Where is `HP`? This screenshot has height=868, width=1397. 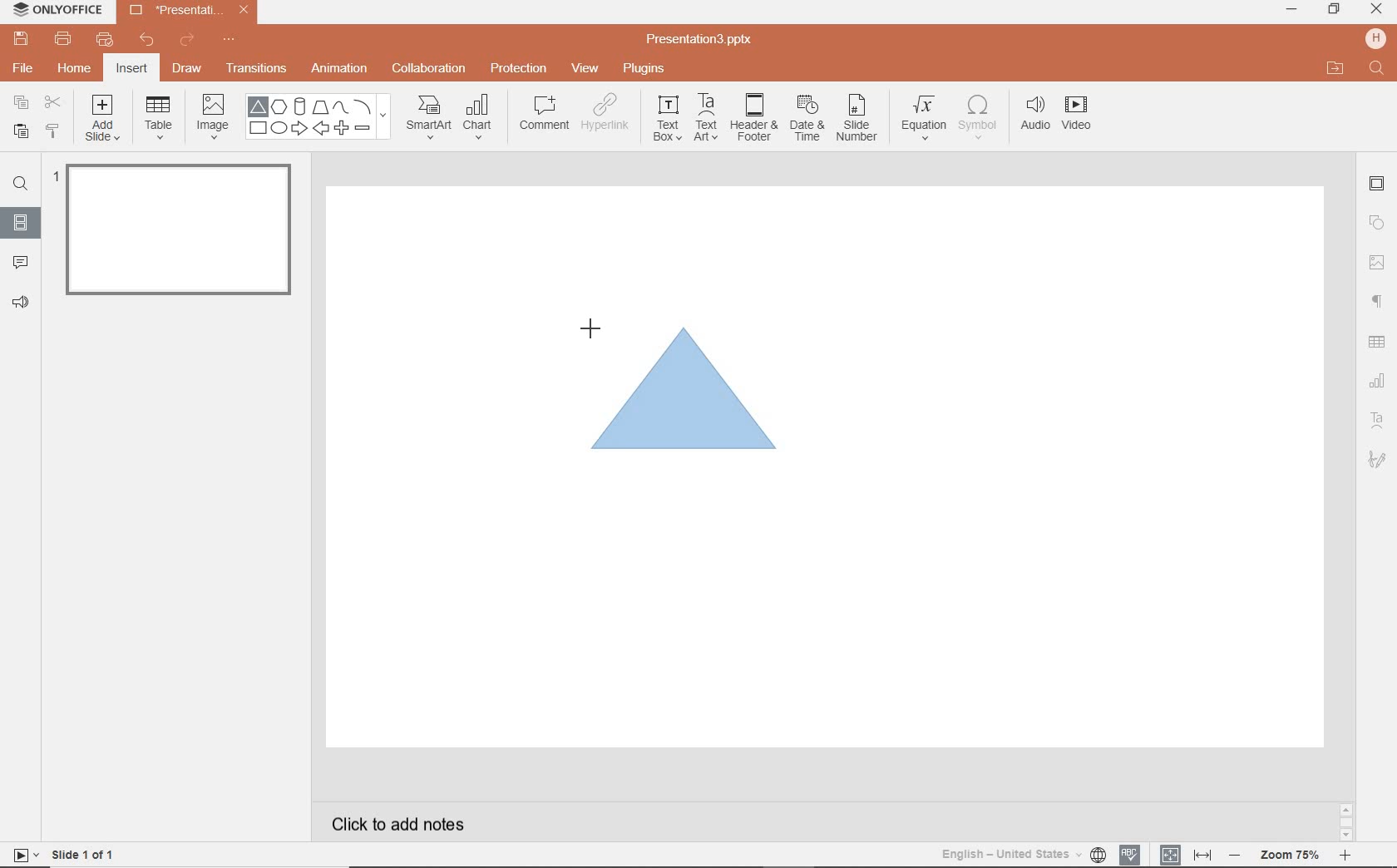 HP is located at coordinates (1377, 38).